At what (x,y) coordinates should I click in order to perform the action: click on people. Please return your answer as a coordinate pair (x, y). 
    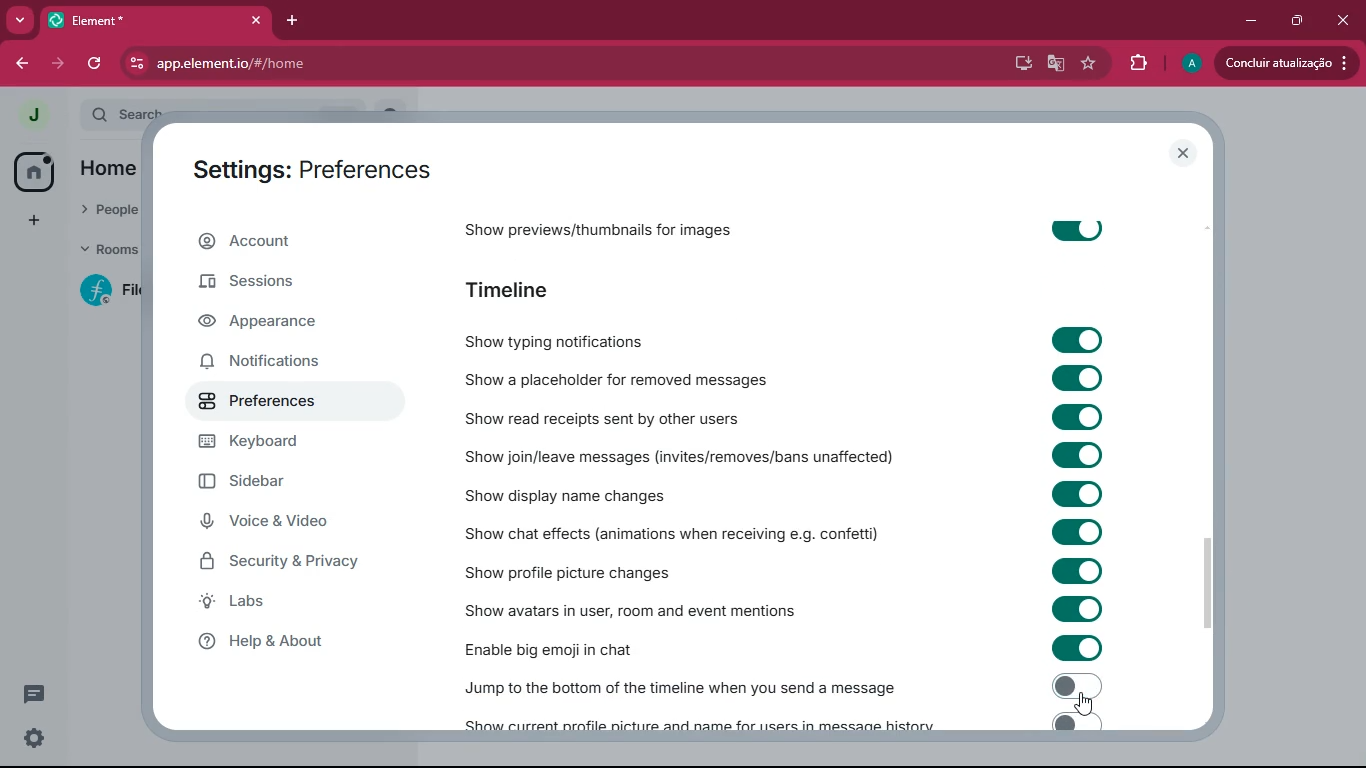
    Looking at the image, I should click on (108, 211).